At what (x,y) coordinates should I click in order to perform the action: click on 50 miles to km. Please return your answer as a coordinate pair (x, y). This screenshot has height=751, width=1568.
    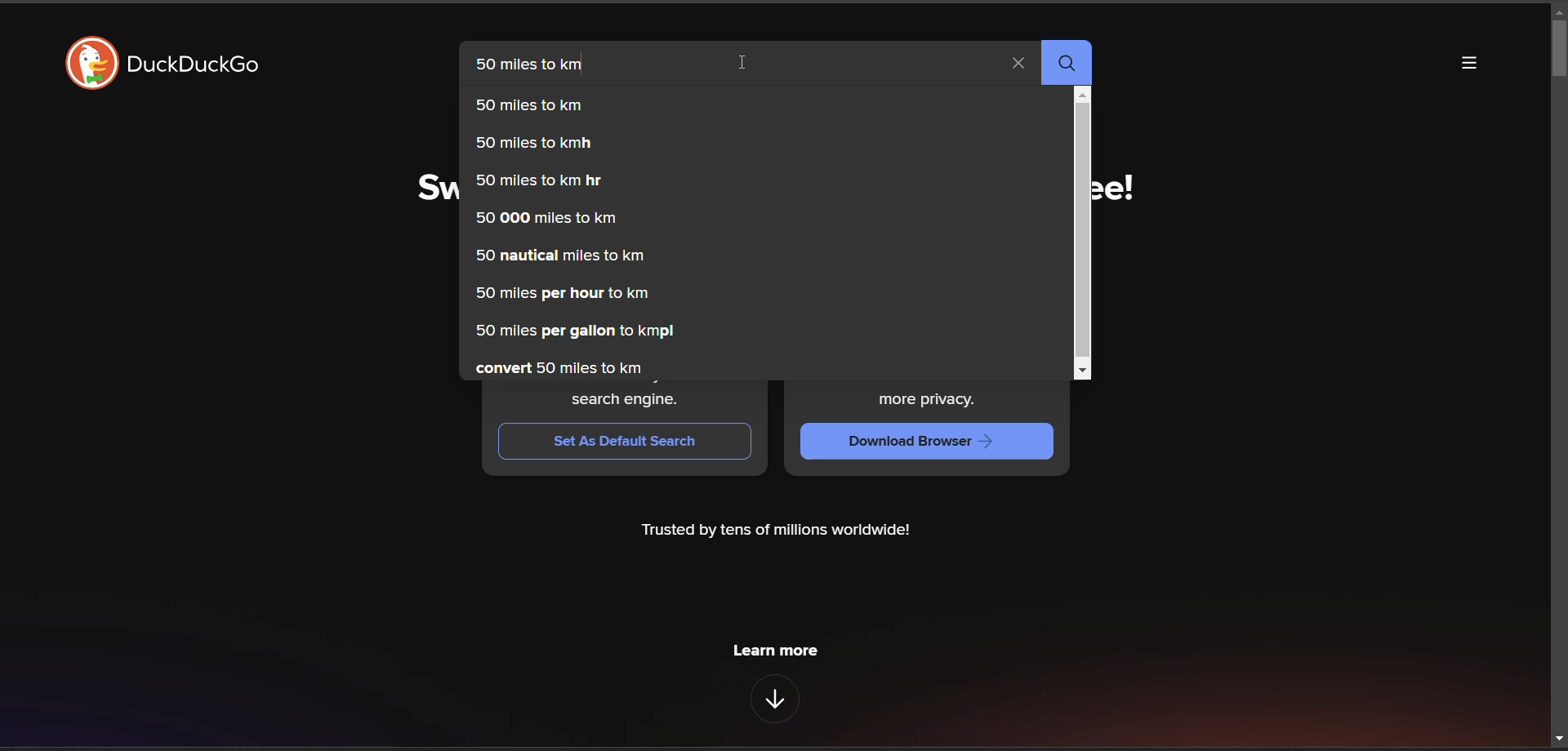
    Looking at the image, I should click on (528, 64).